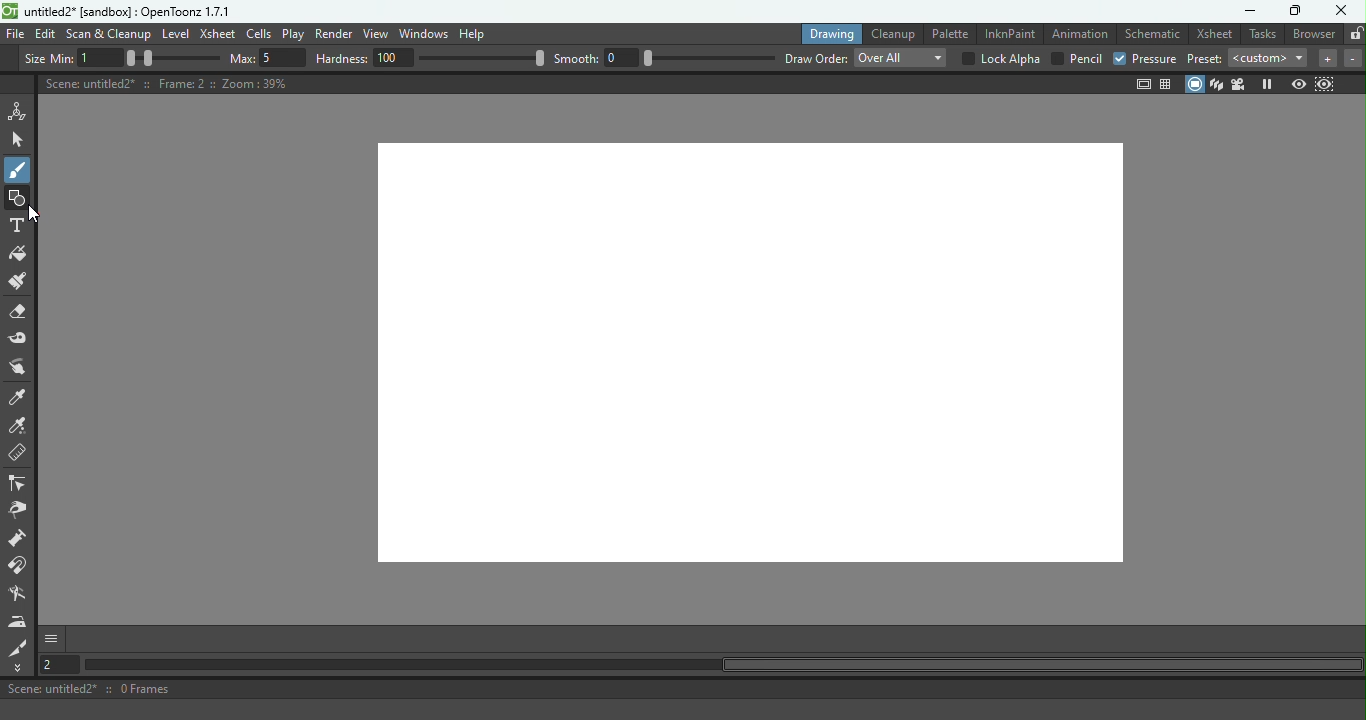 This screenshot has height=720, width=1366. What do you see at coordinates (722, 665) in the screenshot?
I see `Horizontal scroll bar` at bounding box center [722, 665].